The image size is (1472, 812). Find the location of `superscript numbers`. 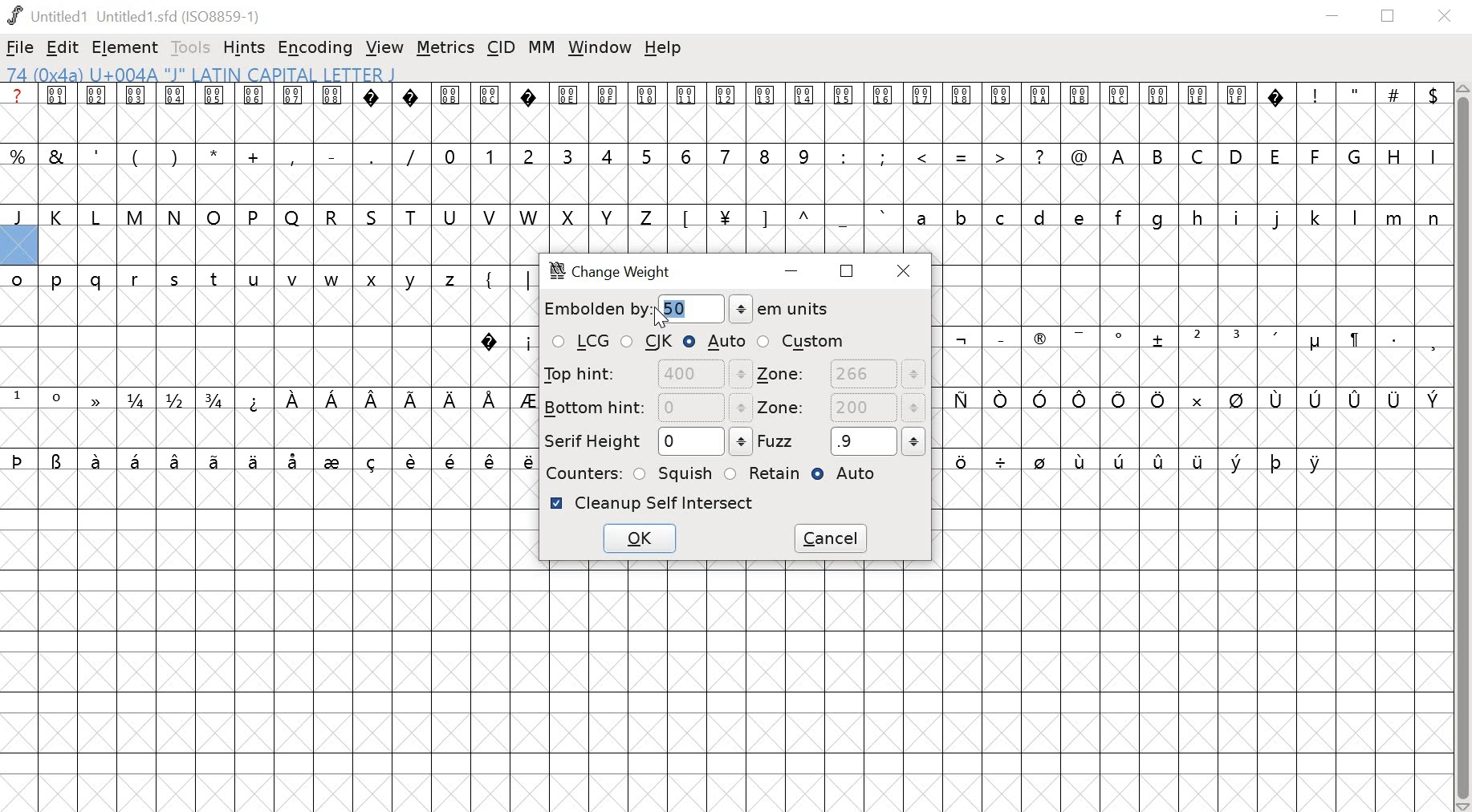

superscript numbers is located at coordinates (38, 397).